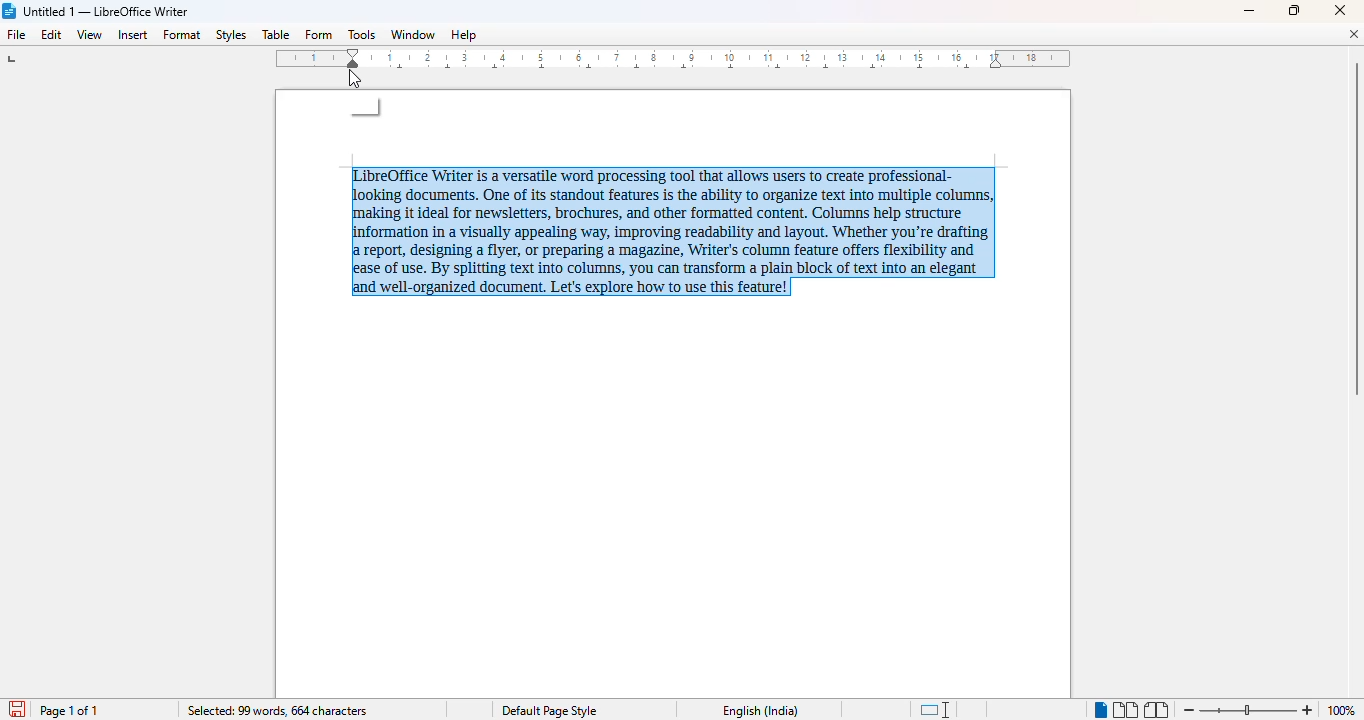 The height and width of the screenshot is (720, 1364). Describe the element at coordinates (90, 33) in the screenshot. I see `view` at that location.